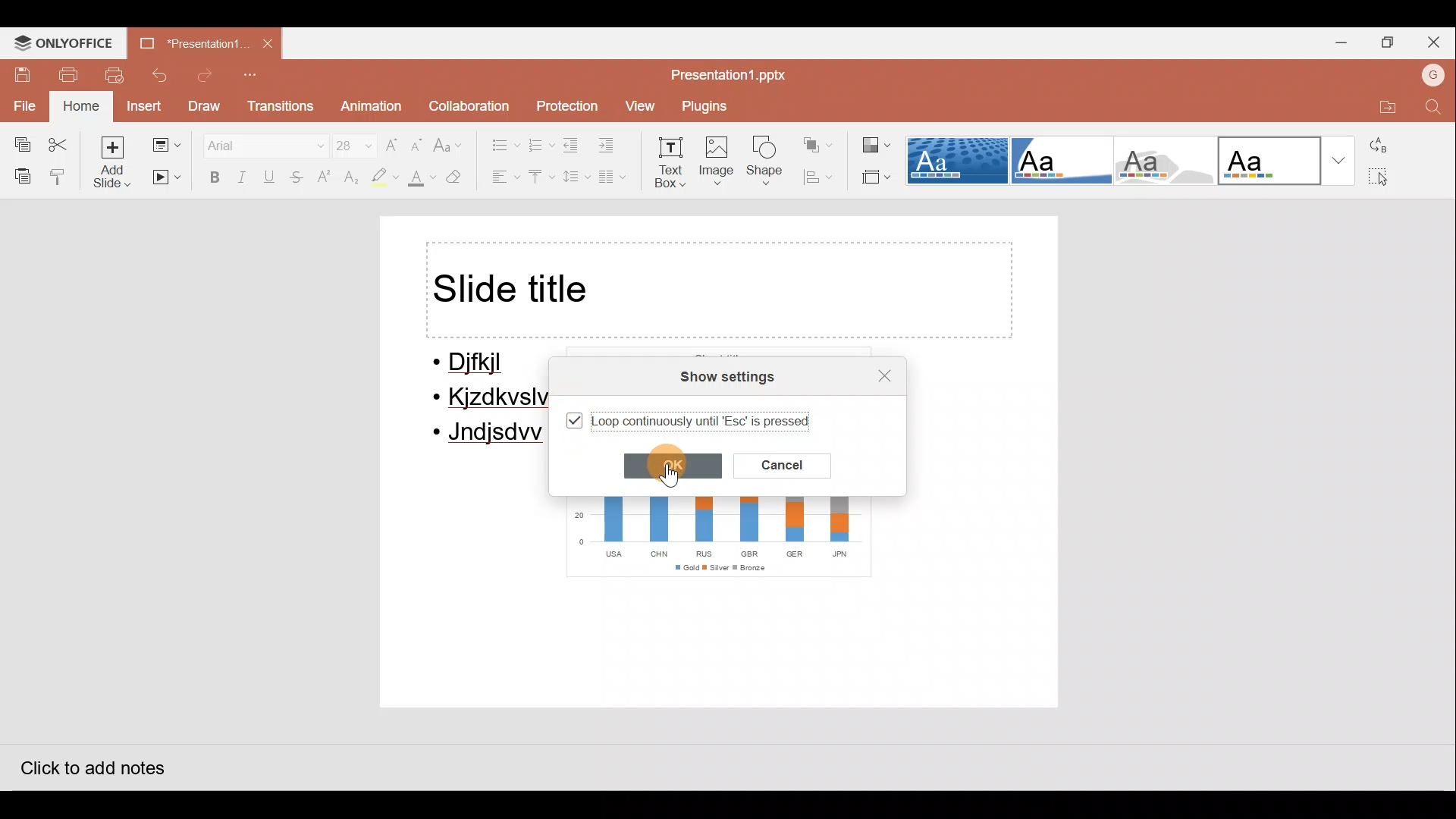 The image size is (1456, 819). Describe the element at coordinates (505, 179) in the screenshot. I see `Horizontal align` at that location.